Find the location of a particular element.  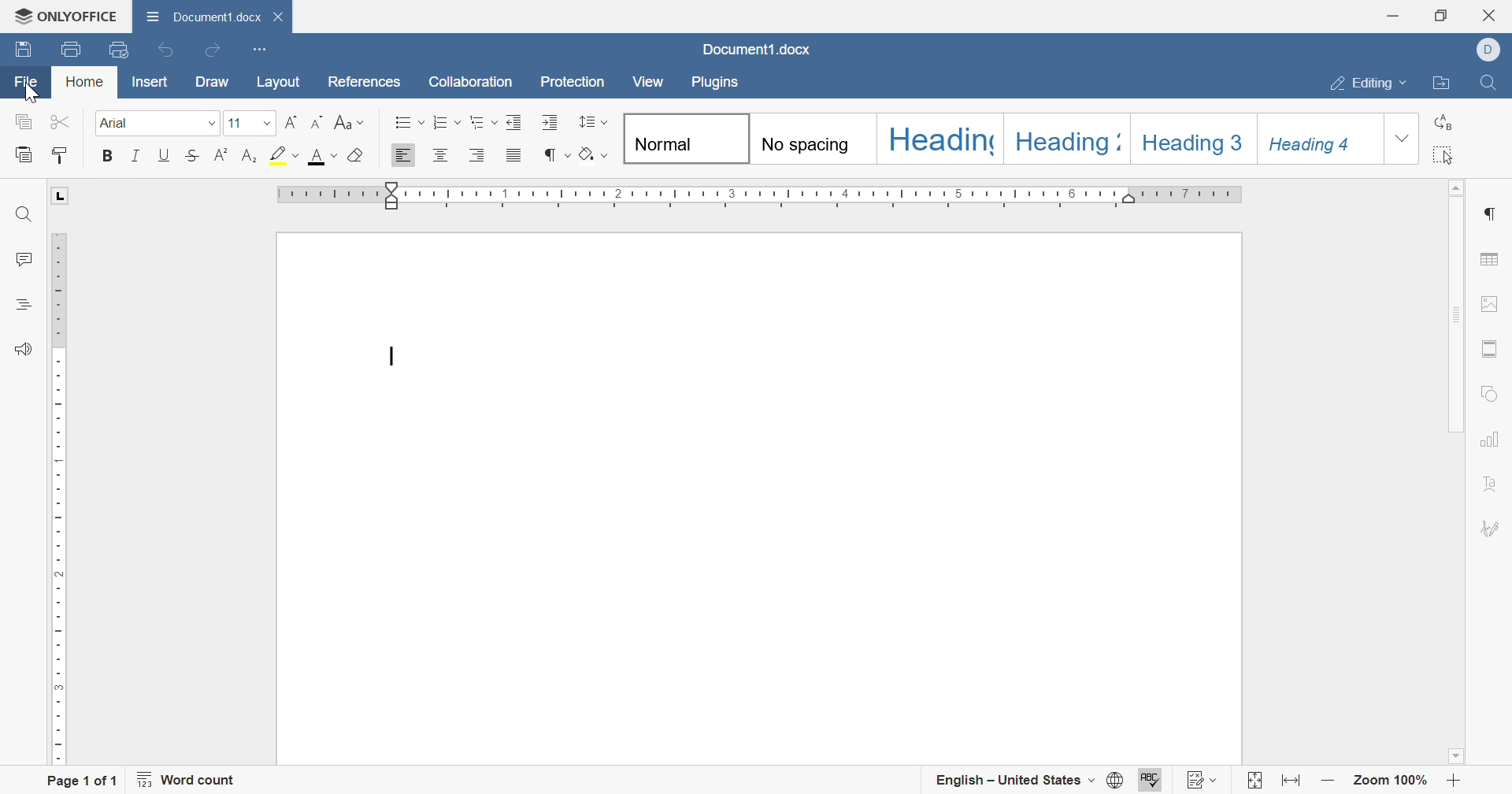

redo is located at coordinates (213, 49).